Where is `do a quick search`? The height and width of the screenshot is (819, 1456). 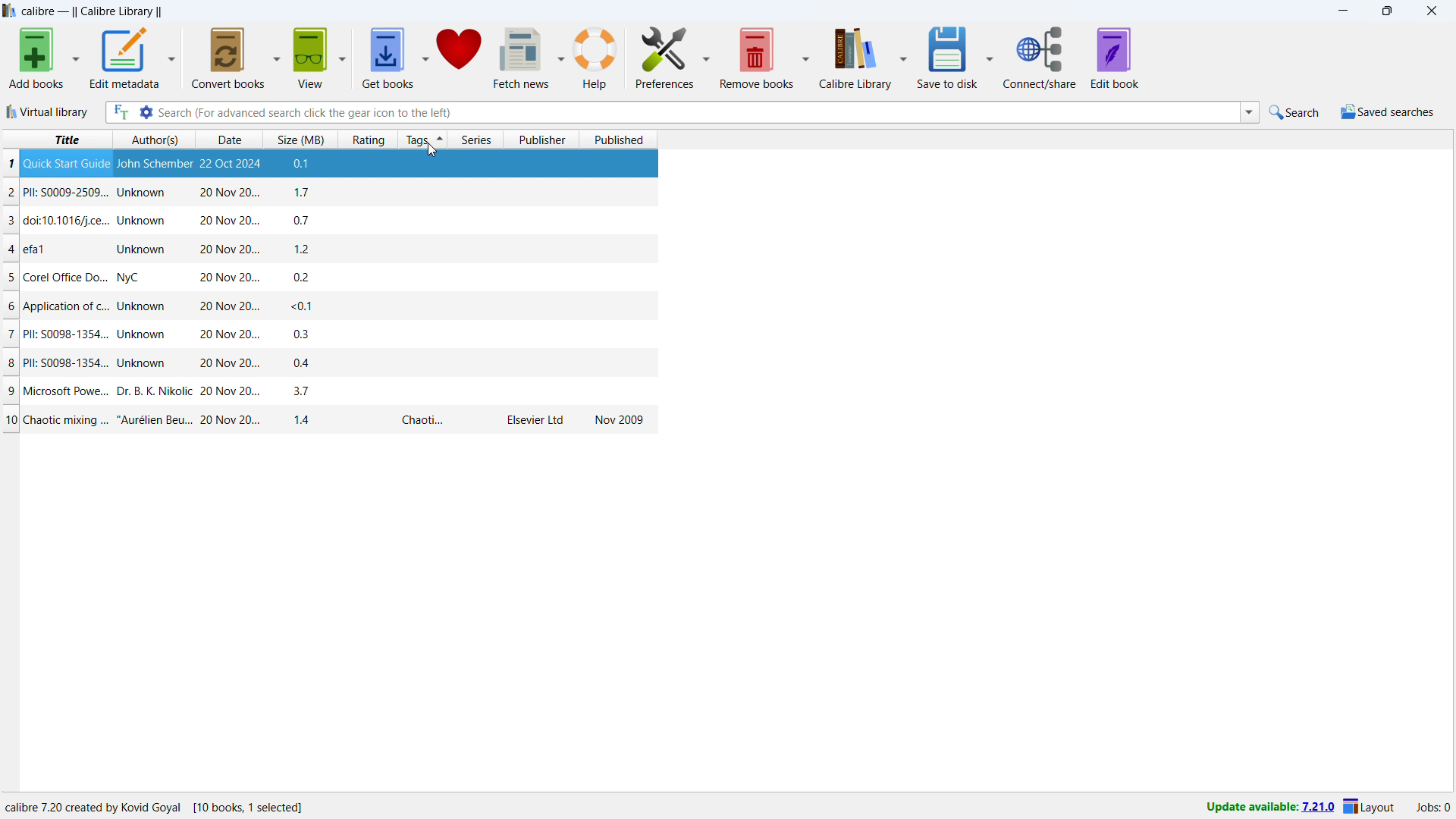 do a quick search is located at coordinates (1296, 113).